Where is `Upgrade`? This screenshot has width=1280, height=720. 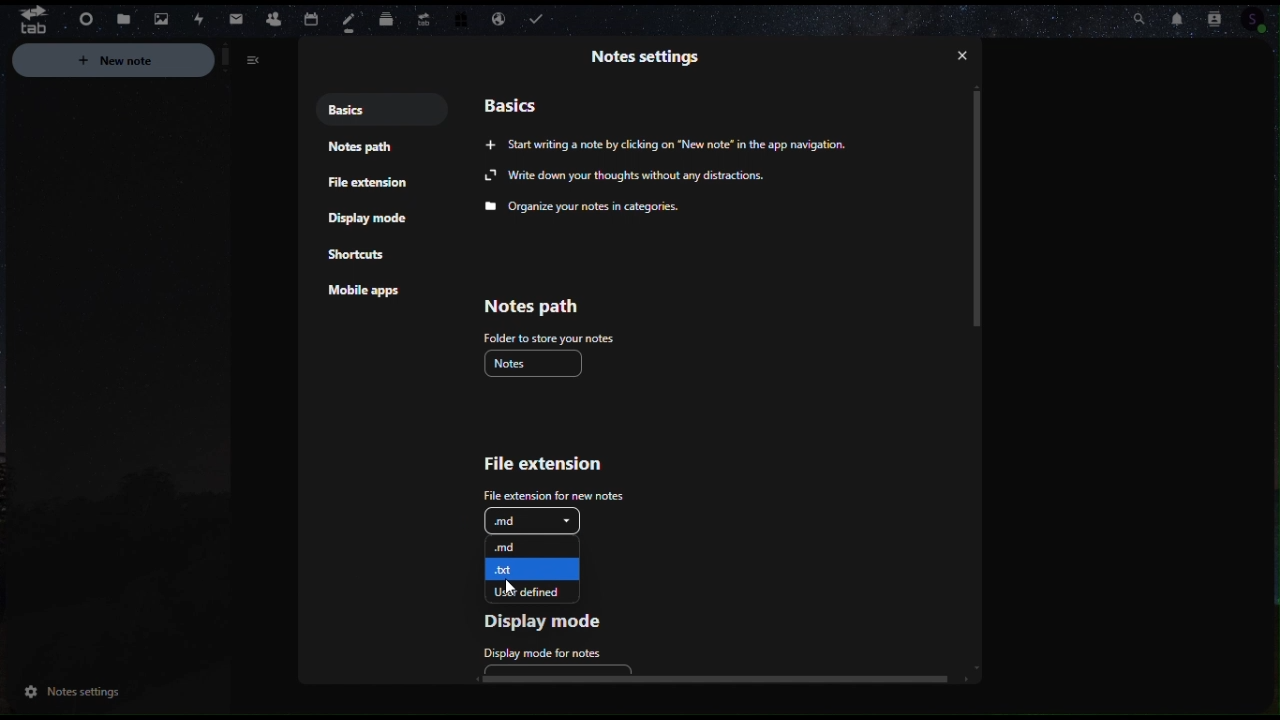
Upgrade is located at coordinates (422, 15).